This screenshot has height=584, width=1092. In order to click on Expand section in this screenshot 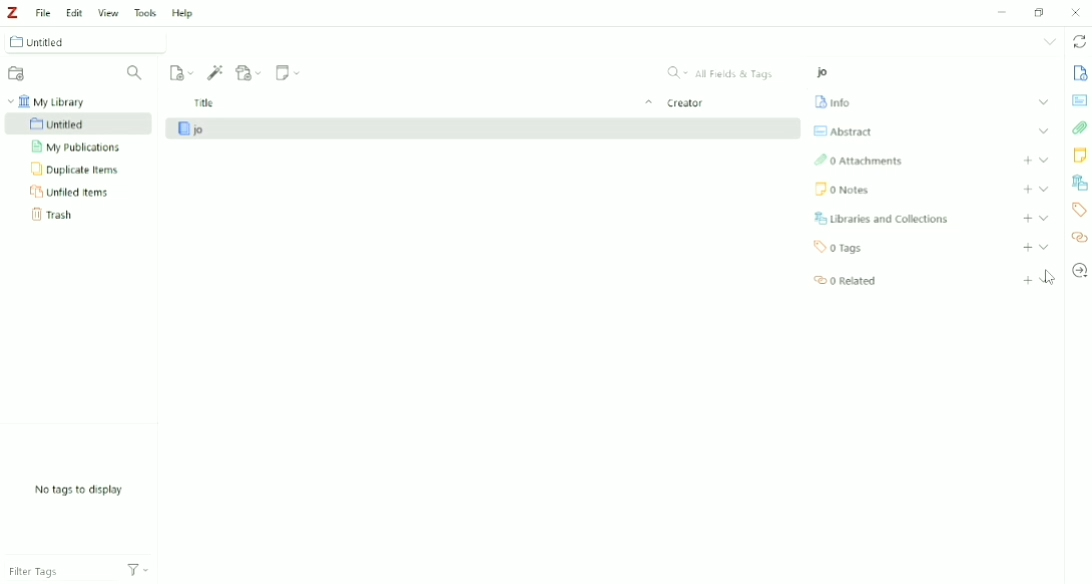, I will do `click(1045, 217)`.